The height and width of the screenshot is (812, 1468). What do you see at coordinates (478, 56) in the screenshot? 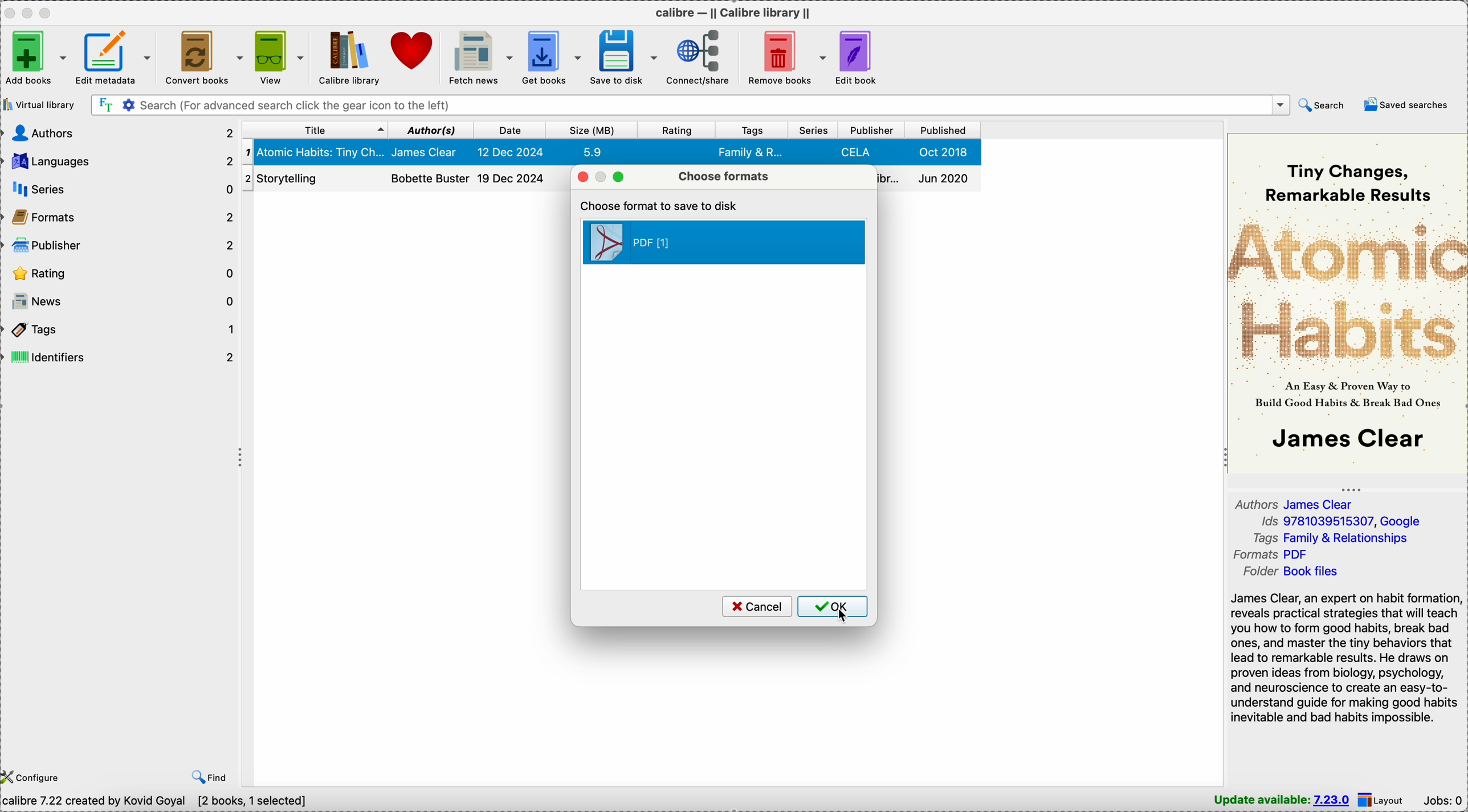
I see `fetch news` at bounding box center [478, 56].